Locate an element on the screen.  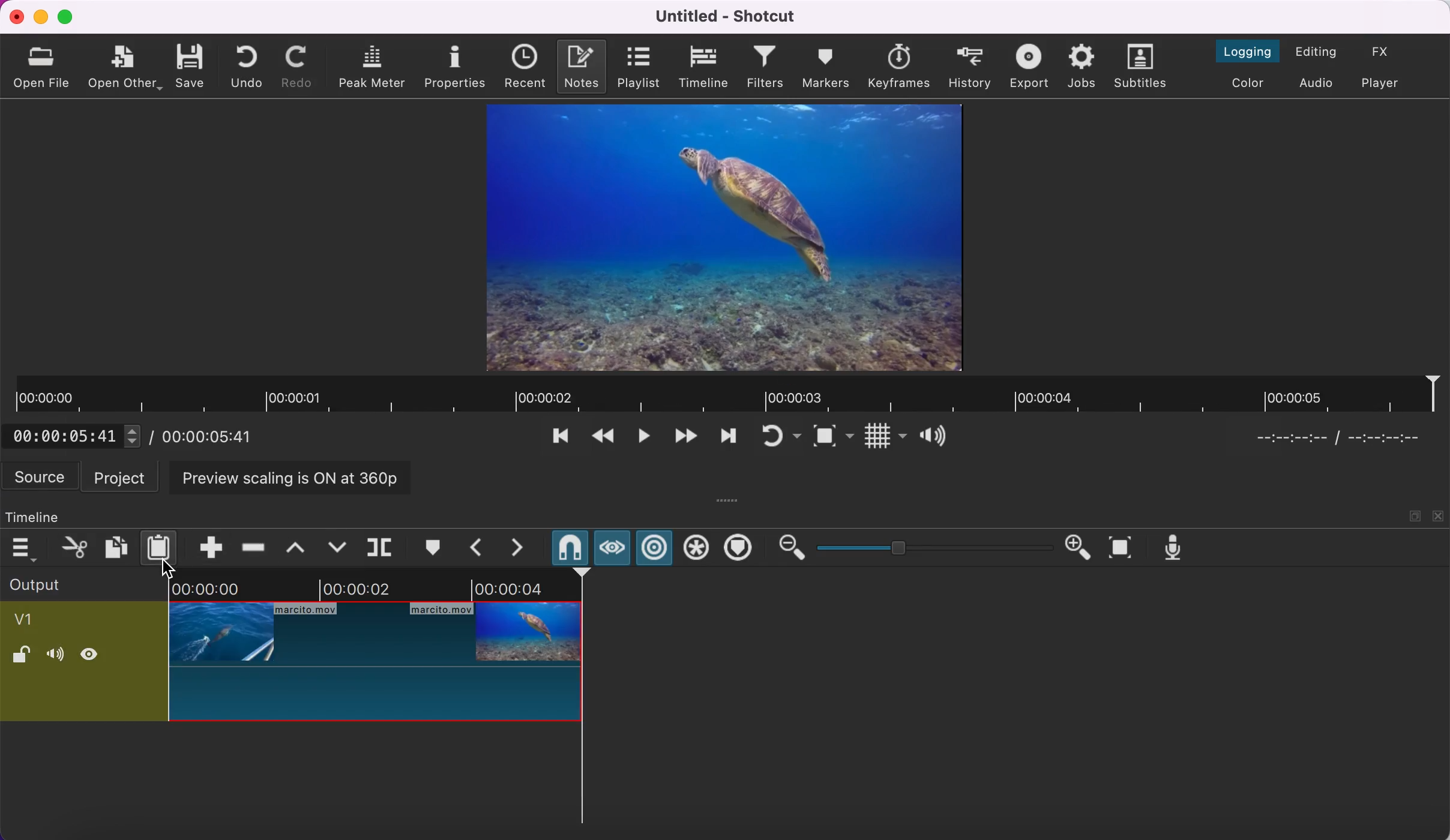
cursor is located at coordinates (170, 562).